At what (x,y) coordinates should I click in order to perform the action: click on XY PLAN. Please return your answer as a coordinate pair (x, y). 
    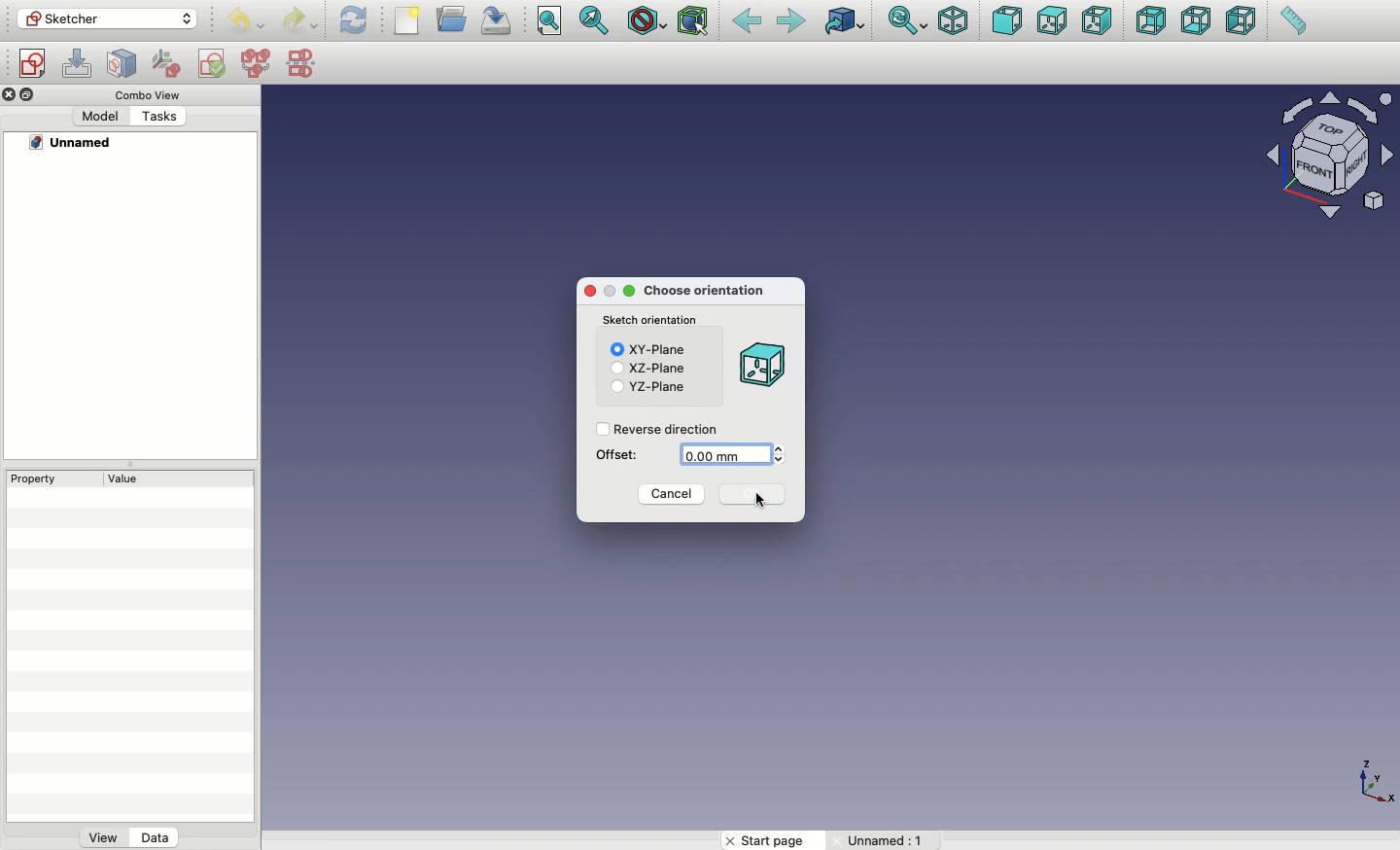
    Looking at the image, I should click on (649, 349).